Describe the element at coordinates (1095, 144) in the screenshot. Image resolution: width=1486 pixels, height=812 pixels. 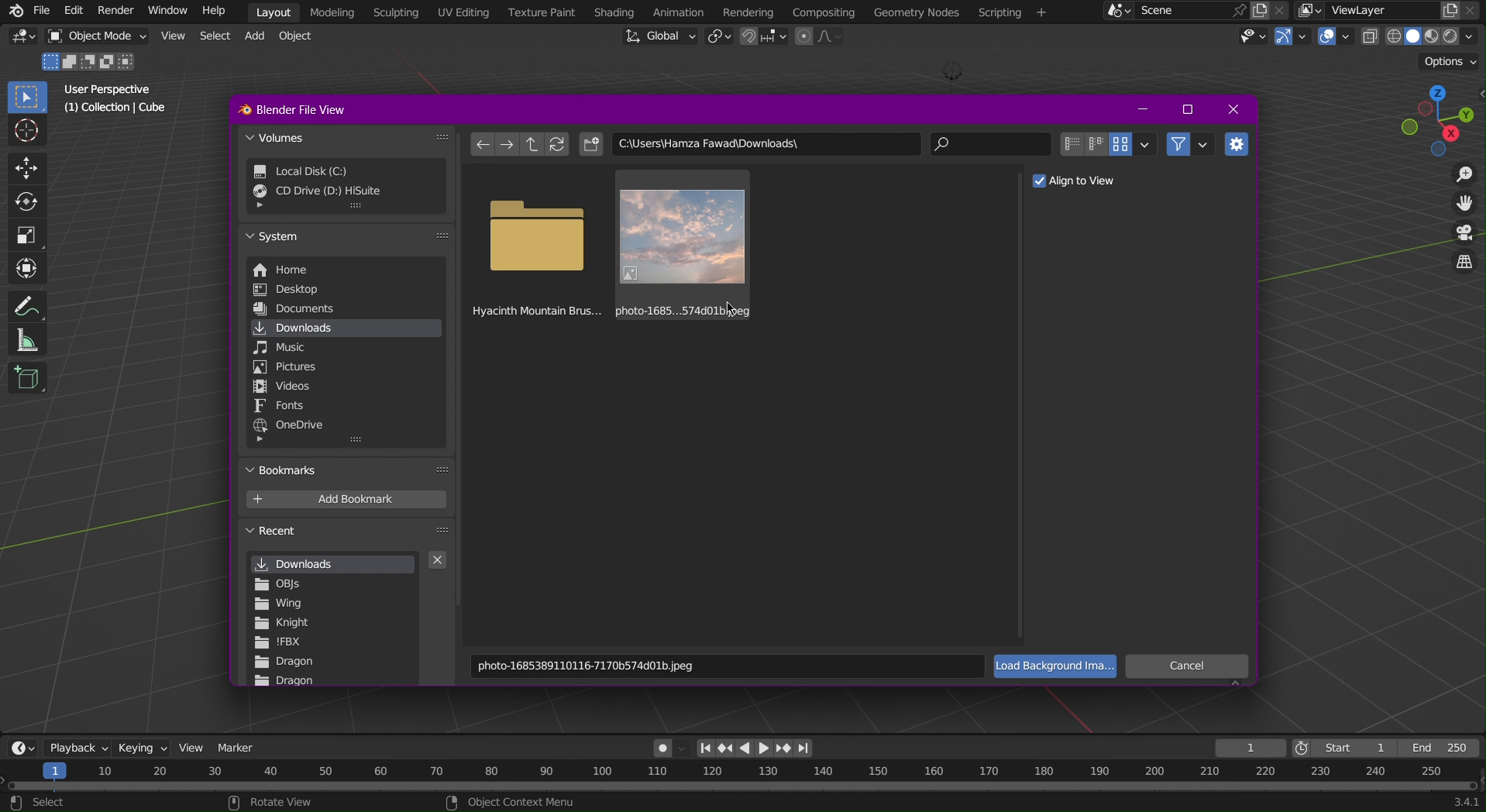
I see `Medium Tiles` at that location.